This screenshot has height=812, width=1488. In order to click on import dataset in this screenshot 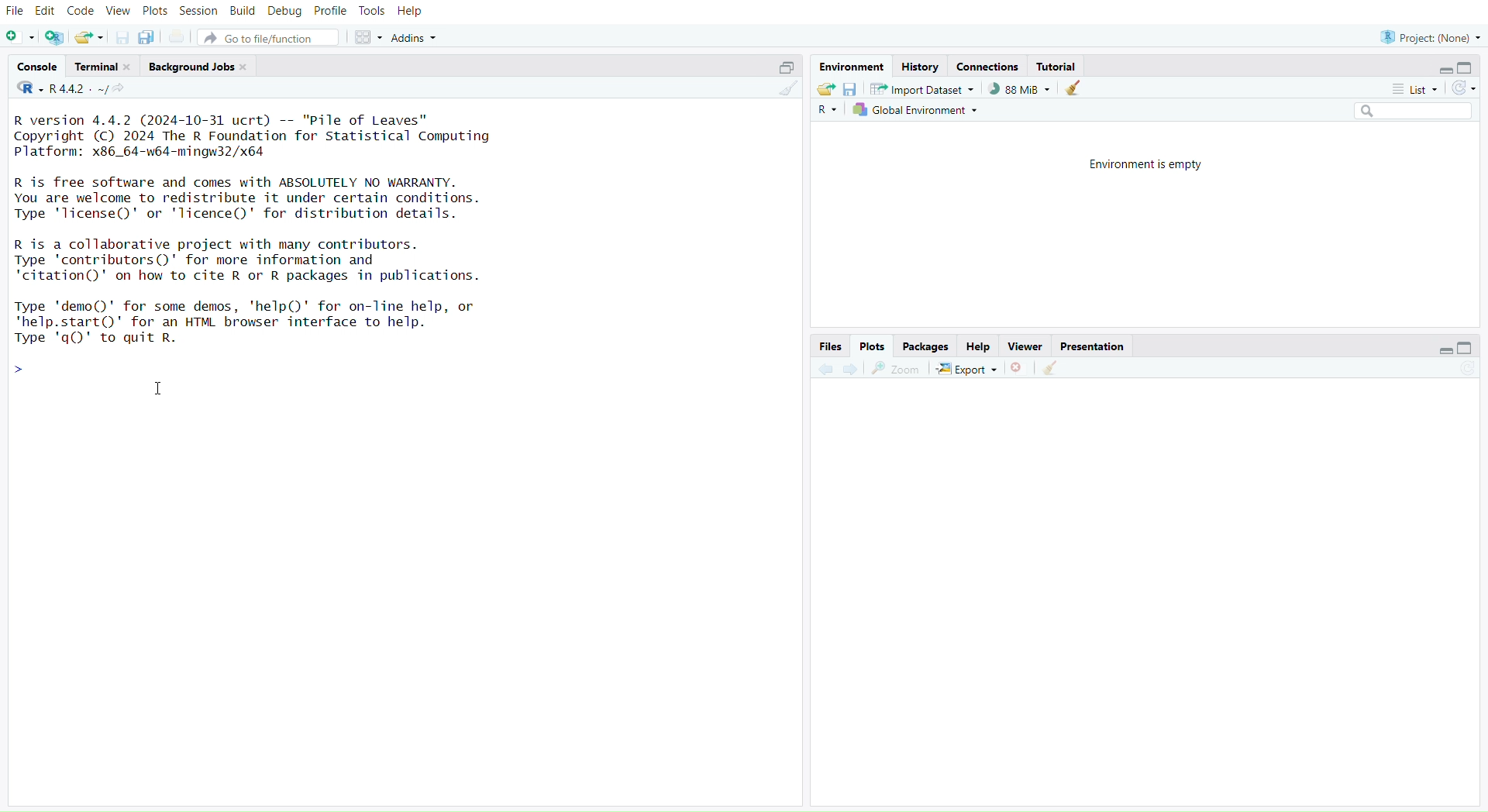, I will do `click(923, 89)`.